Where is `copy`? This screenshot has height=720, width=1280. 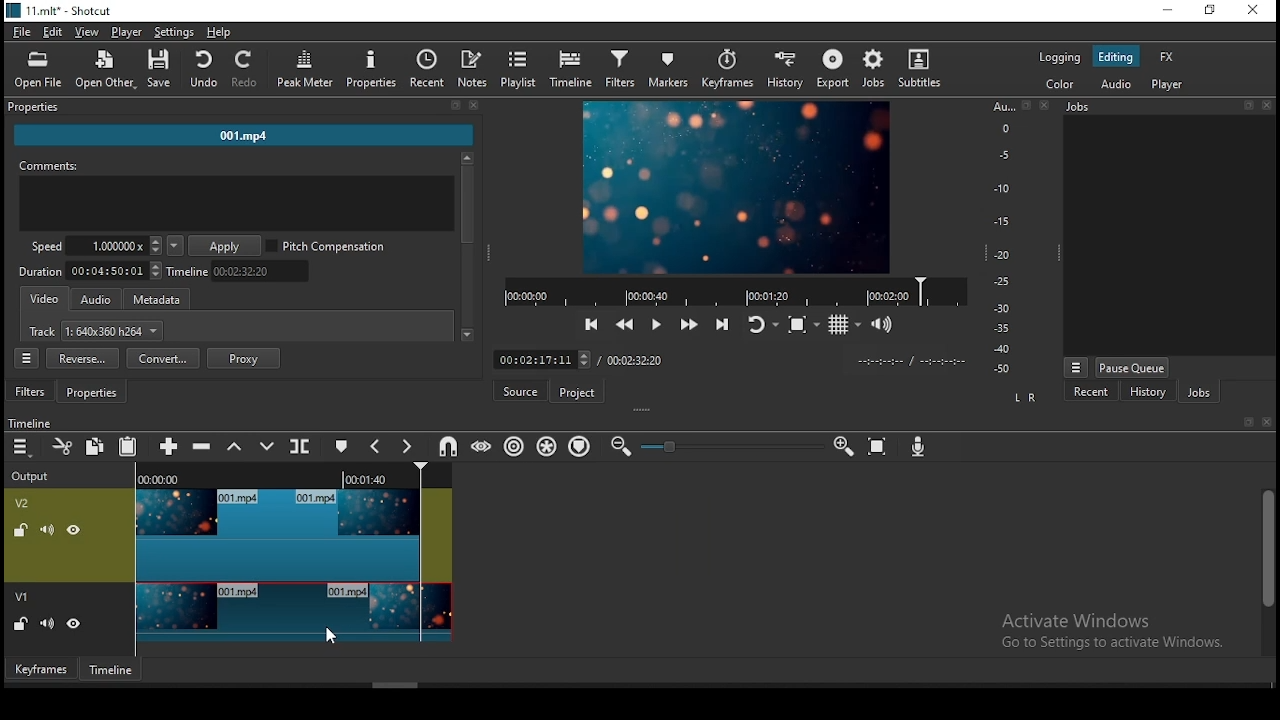
copy is located at coordinates (95, 447).